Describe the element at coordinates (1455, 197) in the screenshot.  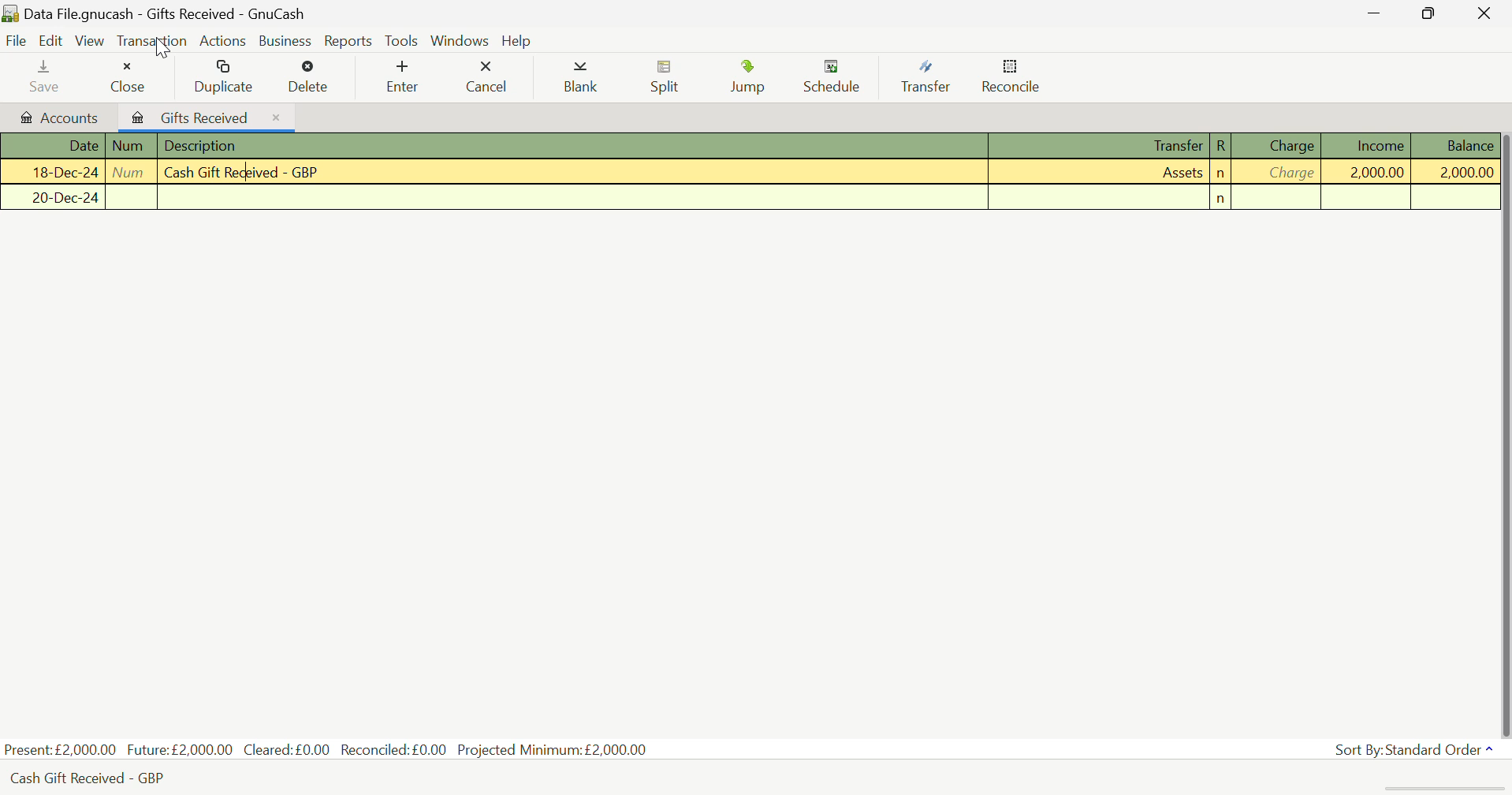
I see `Balance` at that location.